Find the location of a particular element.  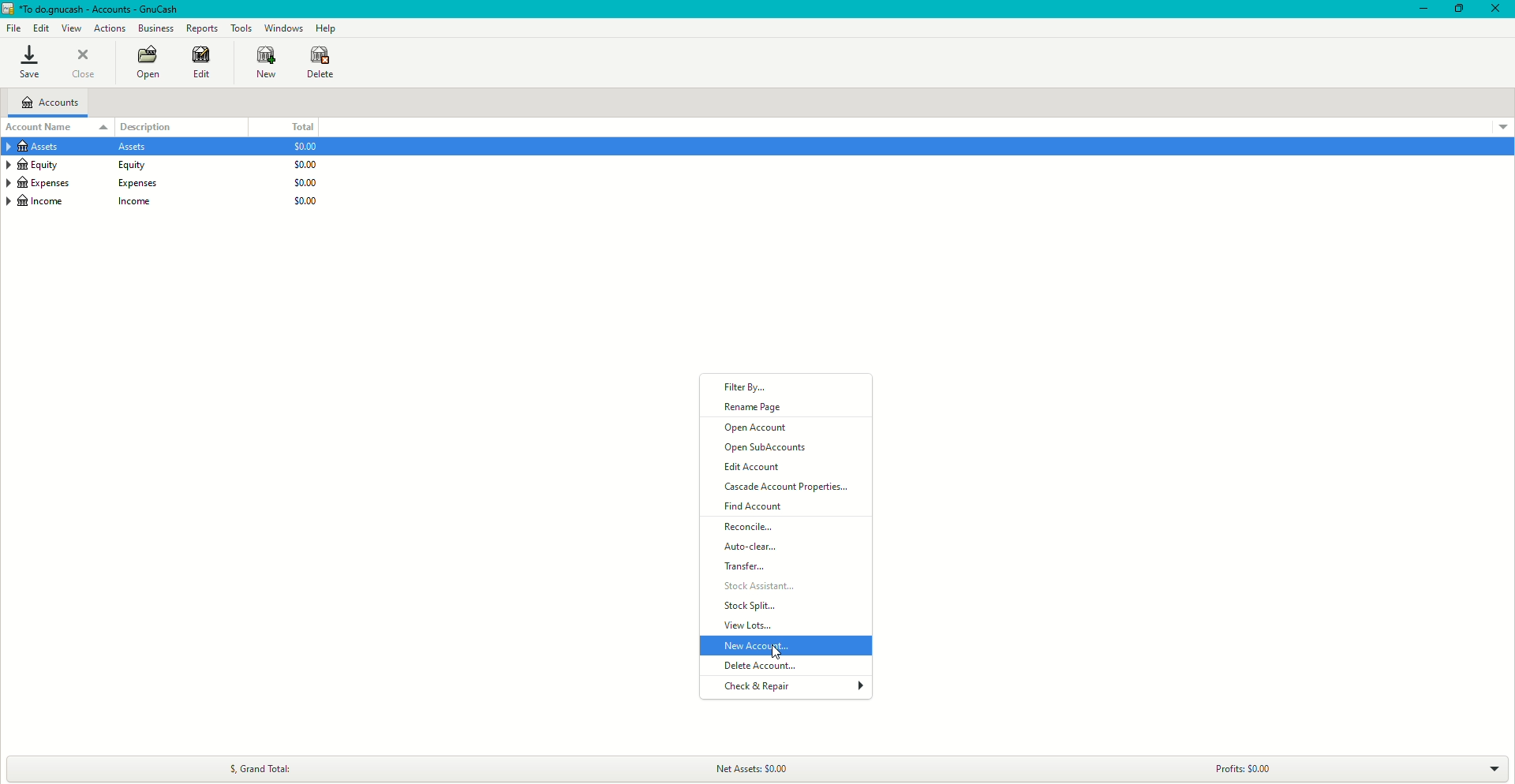

Stock Assistant is located at coordinates (772, 588).